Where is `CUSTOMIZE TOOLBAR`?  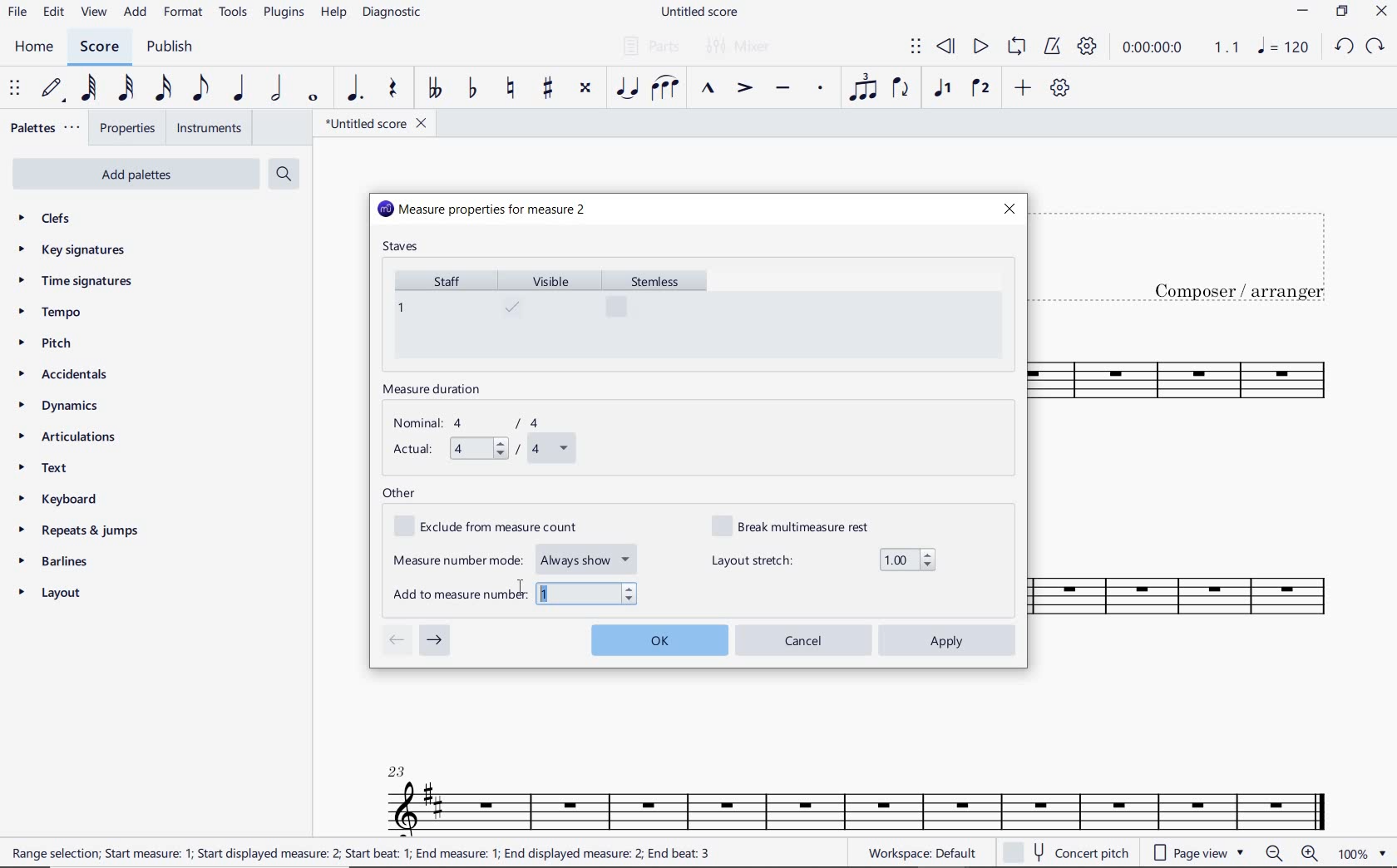
CUSTOMIZE TOOLBAR is located at coordinates (1060, 88).